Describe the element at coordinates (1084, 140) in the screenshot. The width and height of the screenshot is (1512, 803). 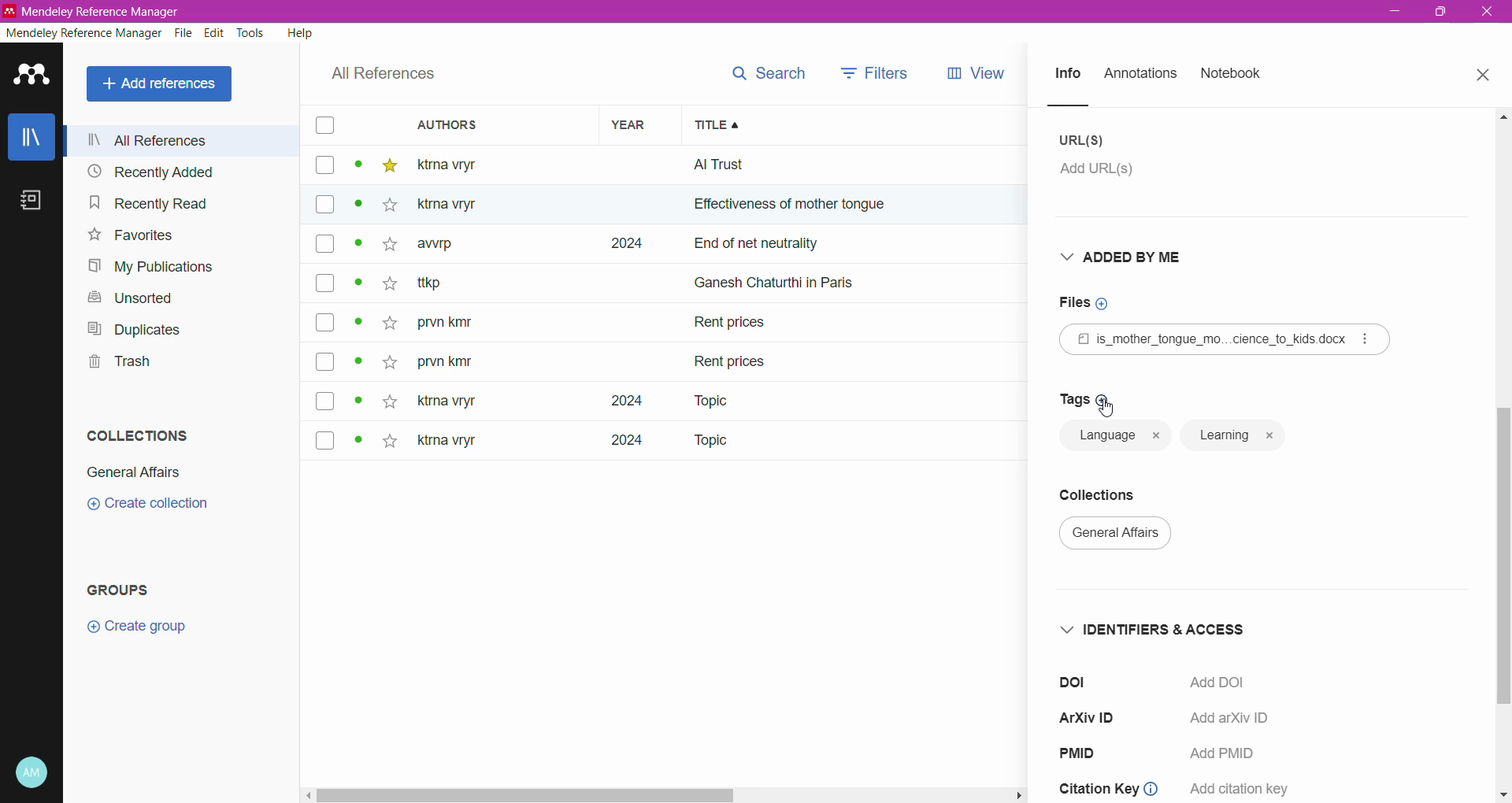
I see `URL(S)` at that location.